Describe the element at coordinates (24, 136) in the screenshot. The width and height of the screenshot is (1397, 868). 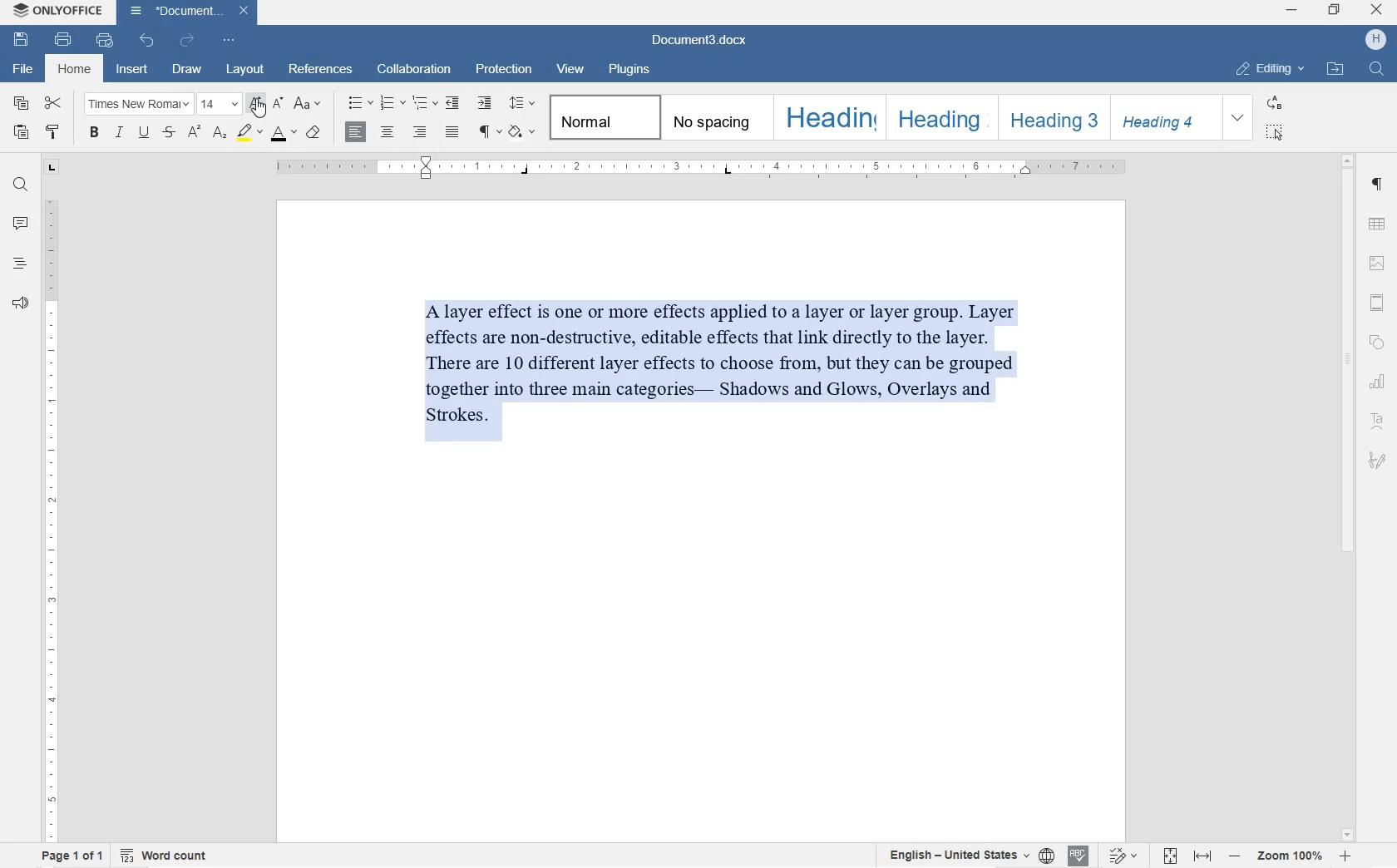
I see `PASTE` at that location.